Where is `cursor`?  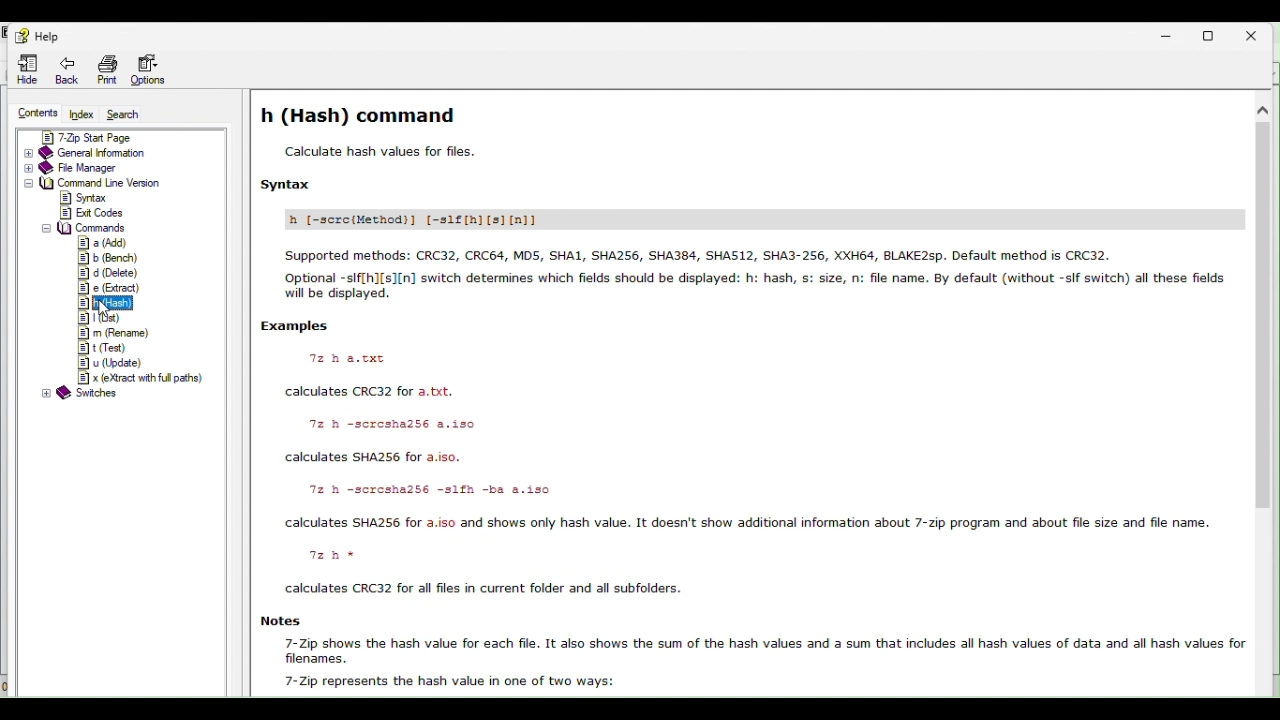 cursor is located at coordinates (104, 309).